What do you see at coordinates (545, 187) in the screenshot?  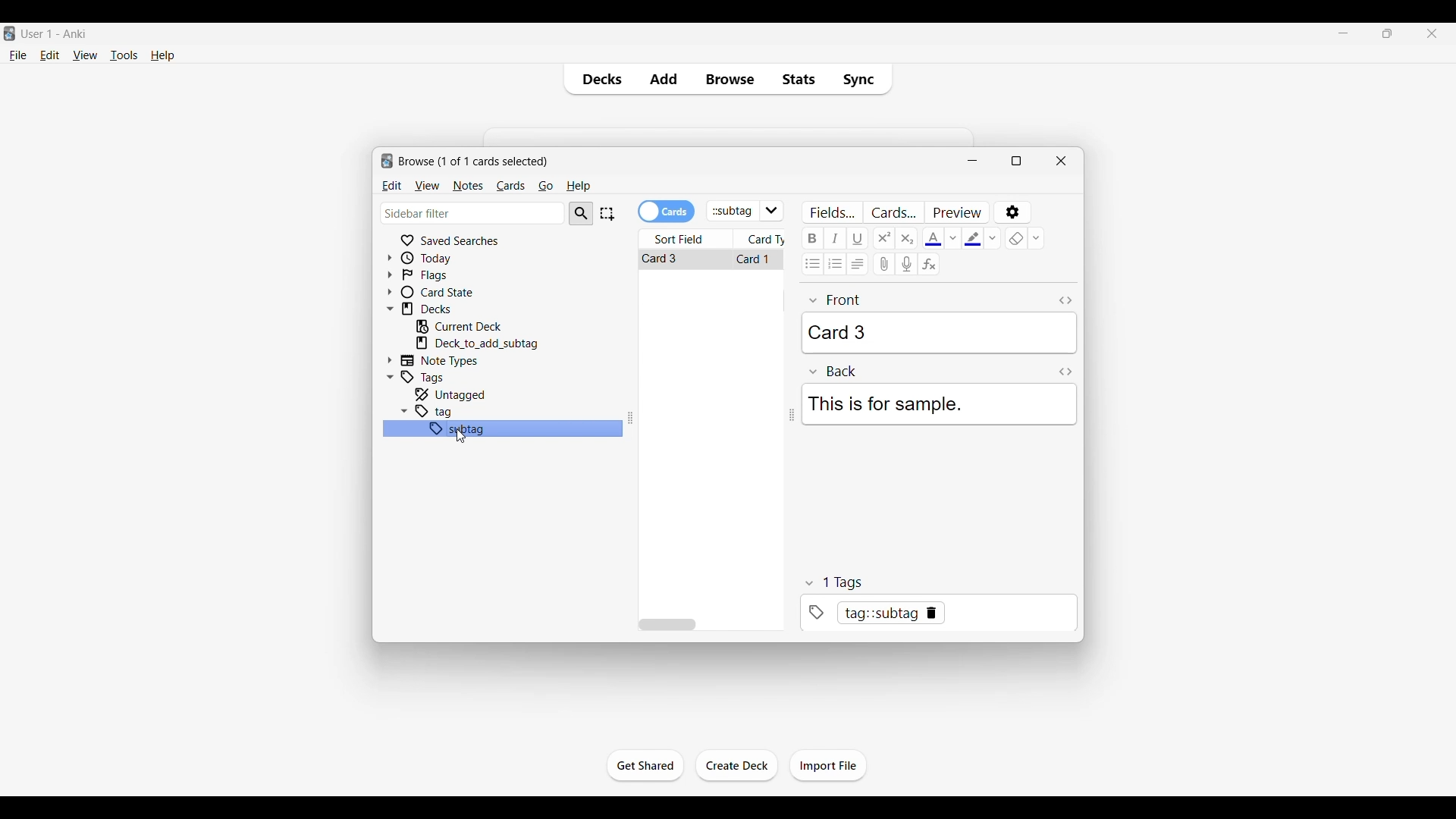 I see `Go menu` at bounding box center [545, 187].